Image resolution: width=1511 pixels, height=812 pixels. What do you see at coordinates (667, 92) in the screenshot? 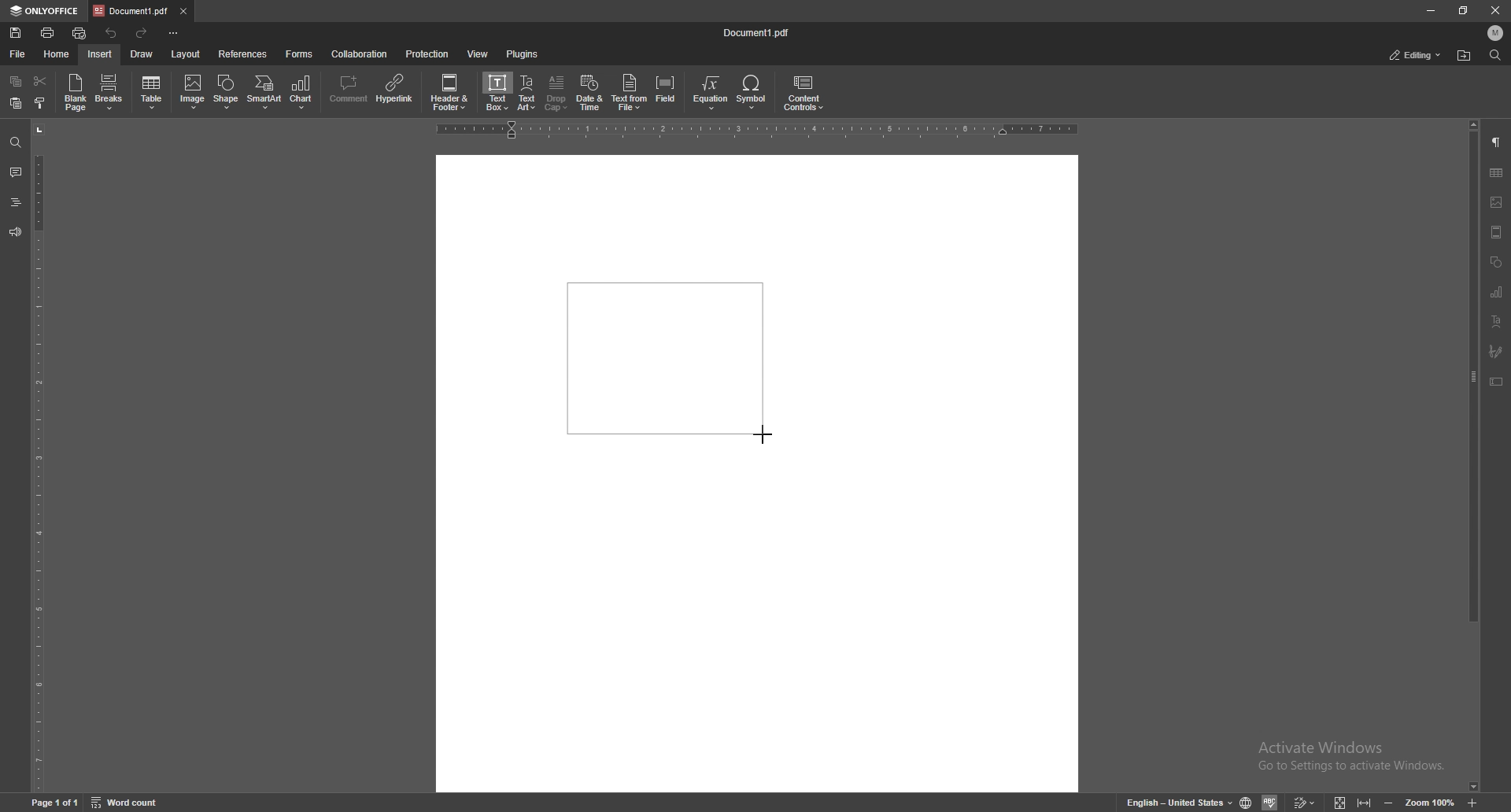
I see `field` at bounding box center [667, 92].